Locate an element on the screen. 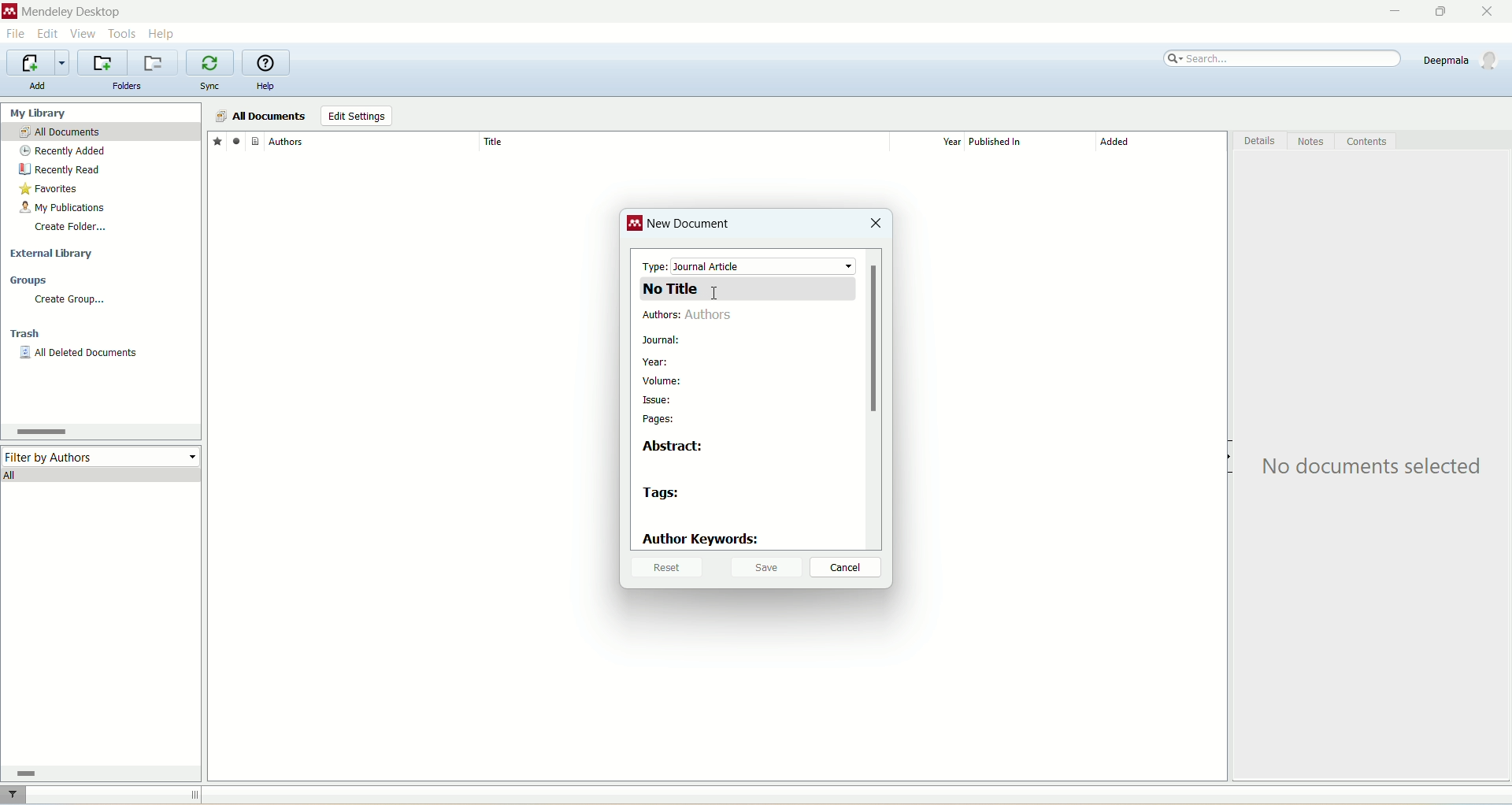 The image size is (1512, 805). favorites is located at coordinates (217, 140).